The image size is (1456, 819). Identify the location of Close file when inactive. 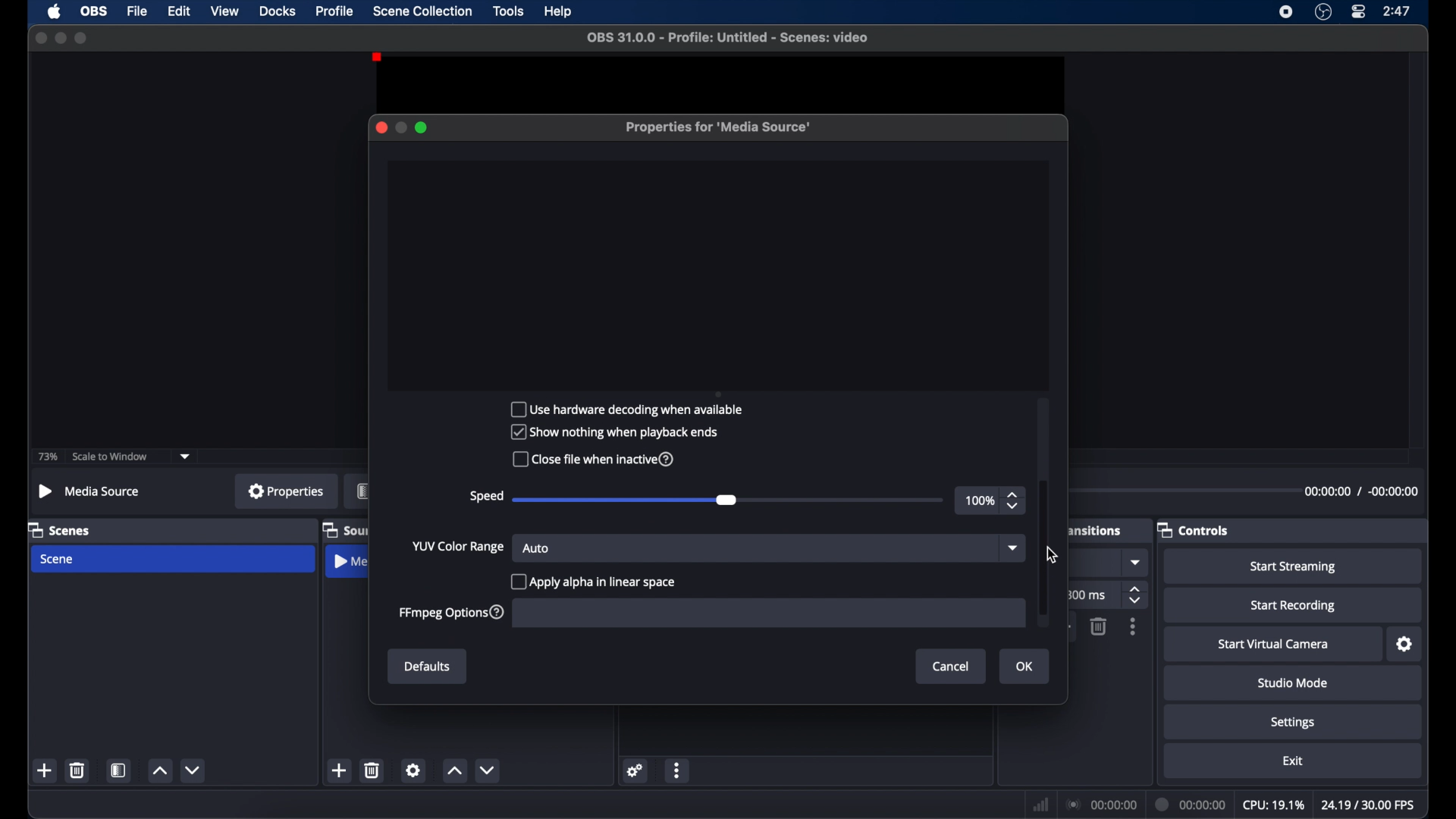
(601, 460).